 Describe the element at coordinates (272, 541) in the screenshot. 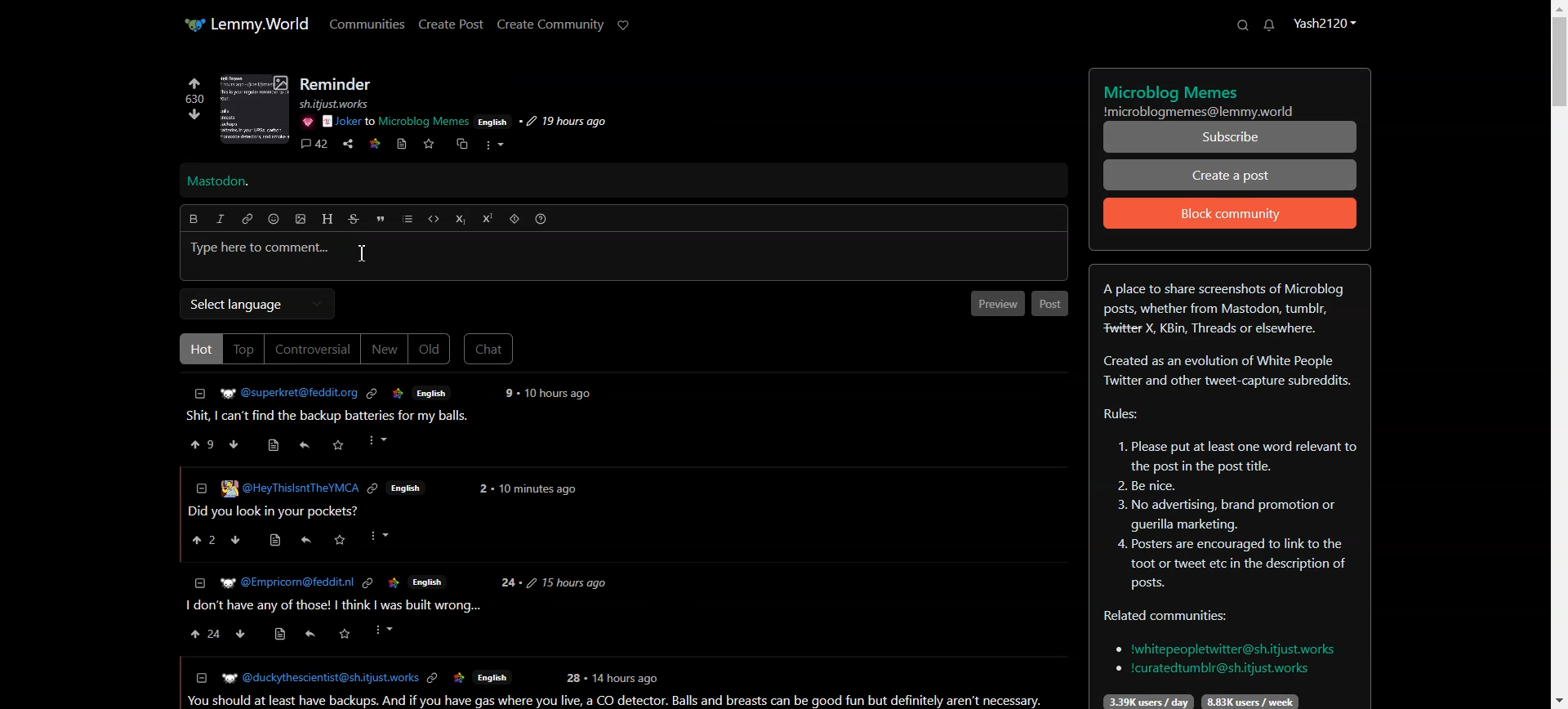

I see `` at that location.